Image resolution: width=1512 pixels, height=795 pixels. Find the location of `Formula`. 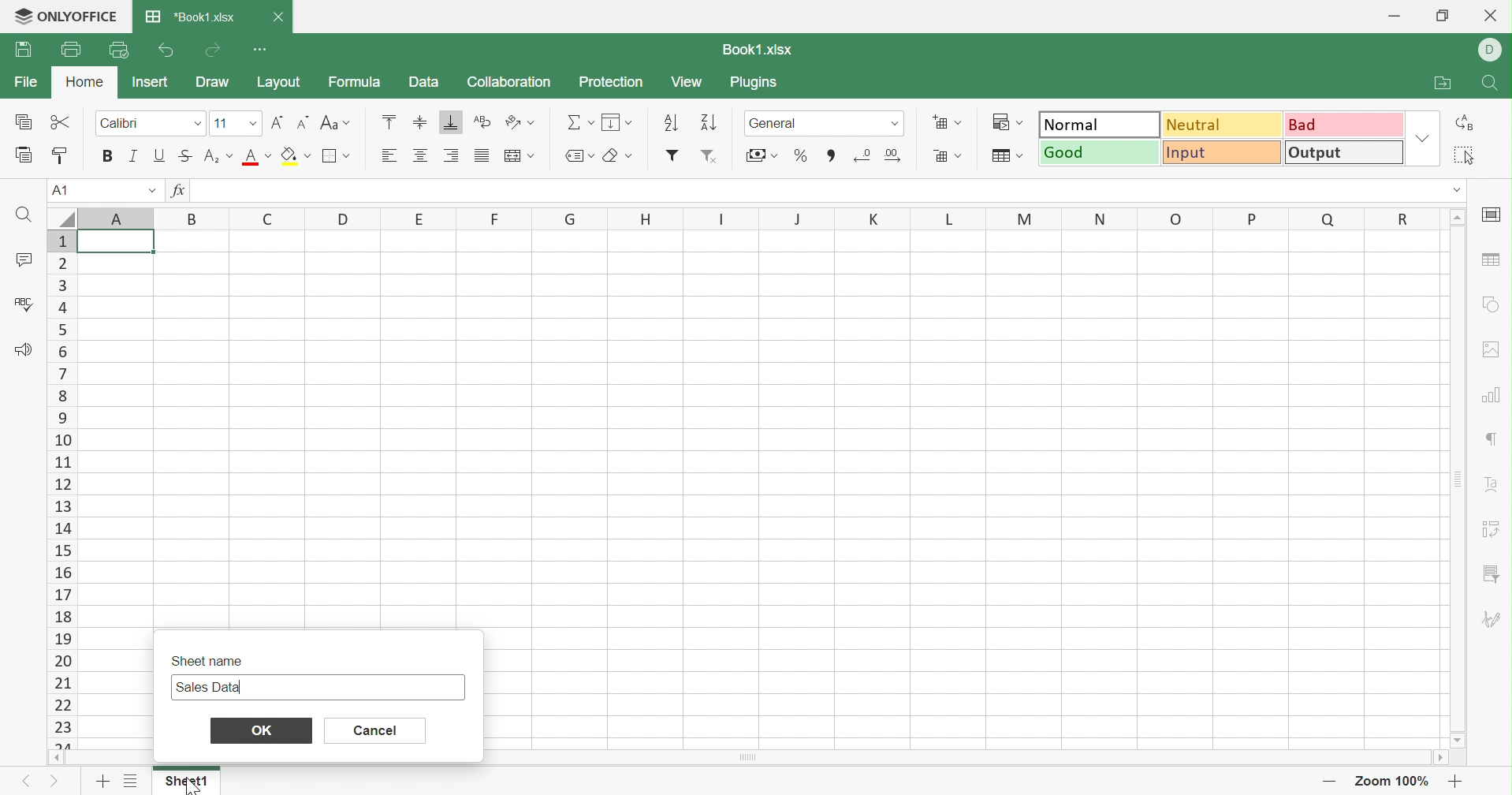

Formula is located at coordinates (355, 83).